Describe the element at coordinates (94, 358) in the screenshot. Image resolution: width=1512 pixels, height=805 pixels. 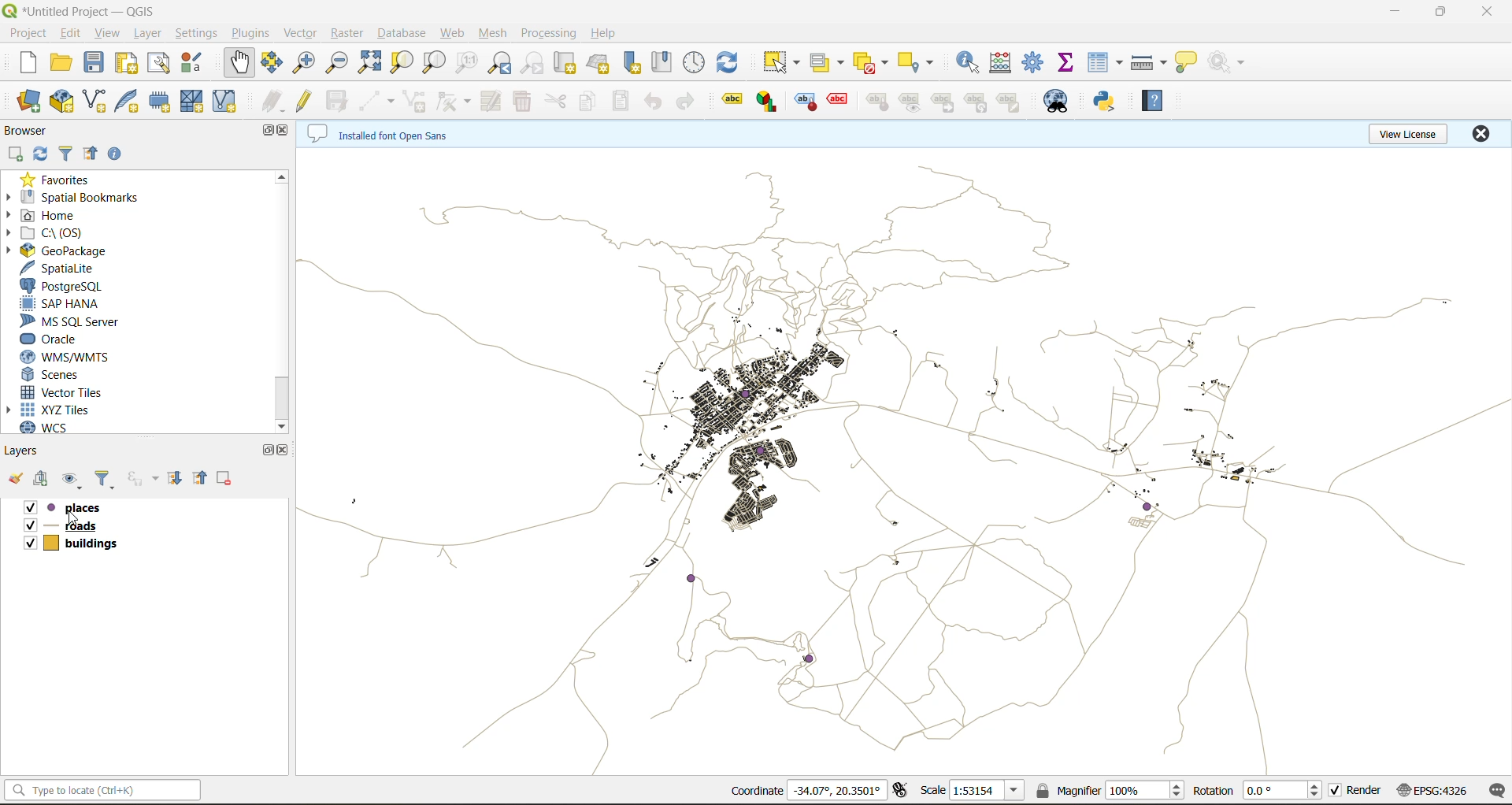
I see `wms` at that location.